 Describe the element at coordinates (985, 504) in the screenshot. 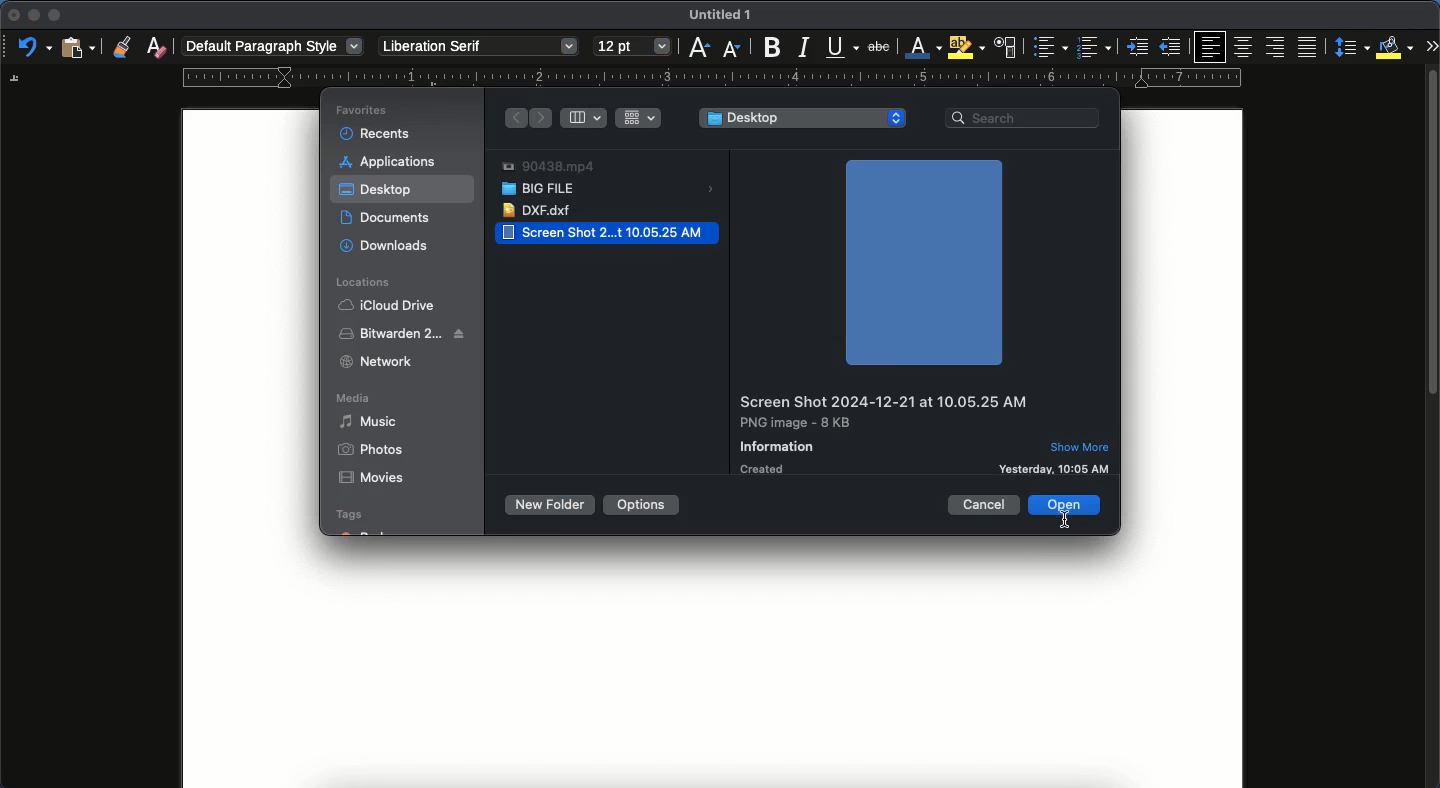

I see `cancel` at that location.